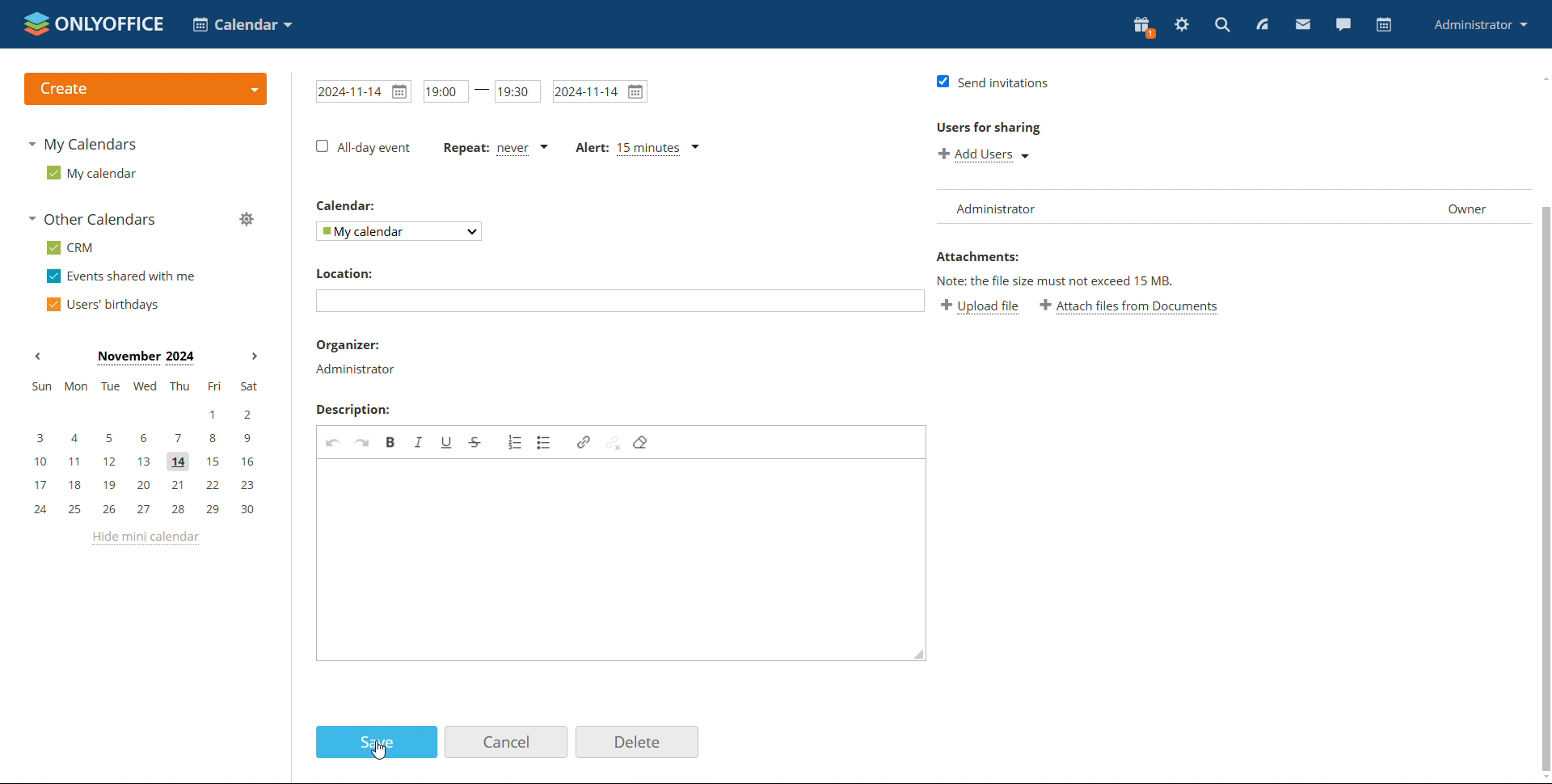 This screenshot has height=784, width=1552. What do you see at coordinates (638, 743) in the screenshot?
I see `delete` at bounding box center [638, 743].